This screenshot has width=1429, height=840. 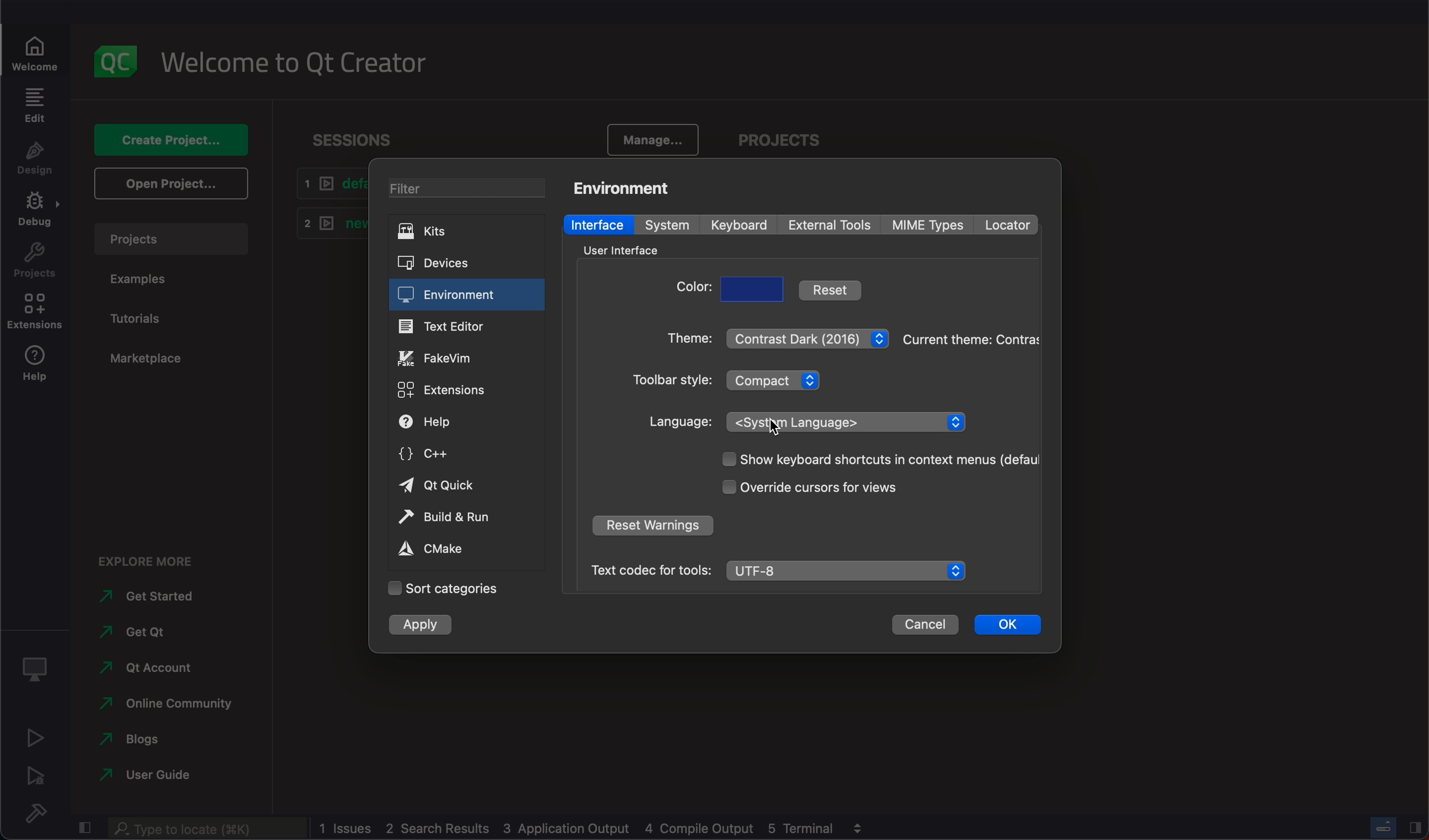 I want to click on close slidebar, so click(x=1415, y=828).